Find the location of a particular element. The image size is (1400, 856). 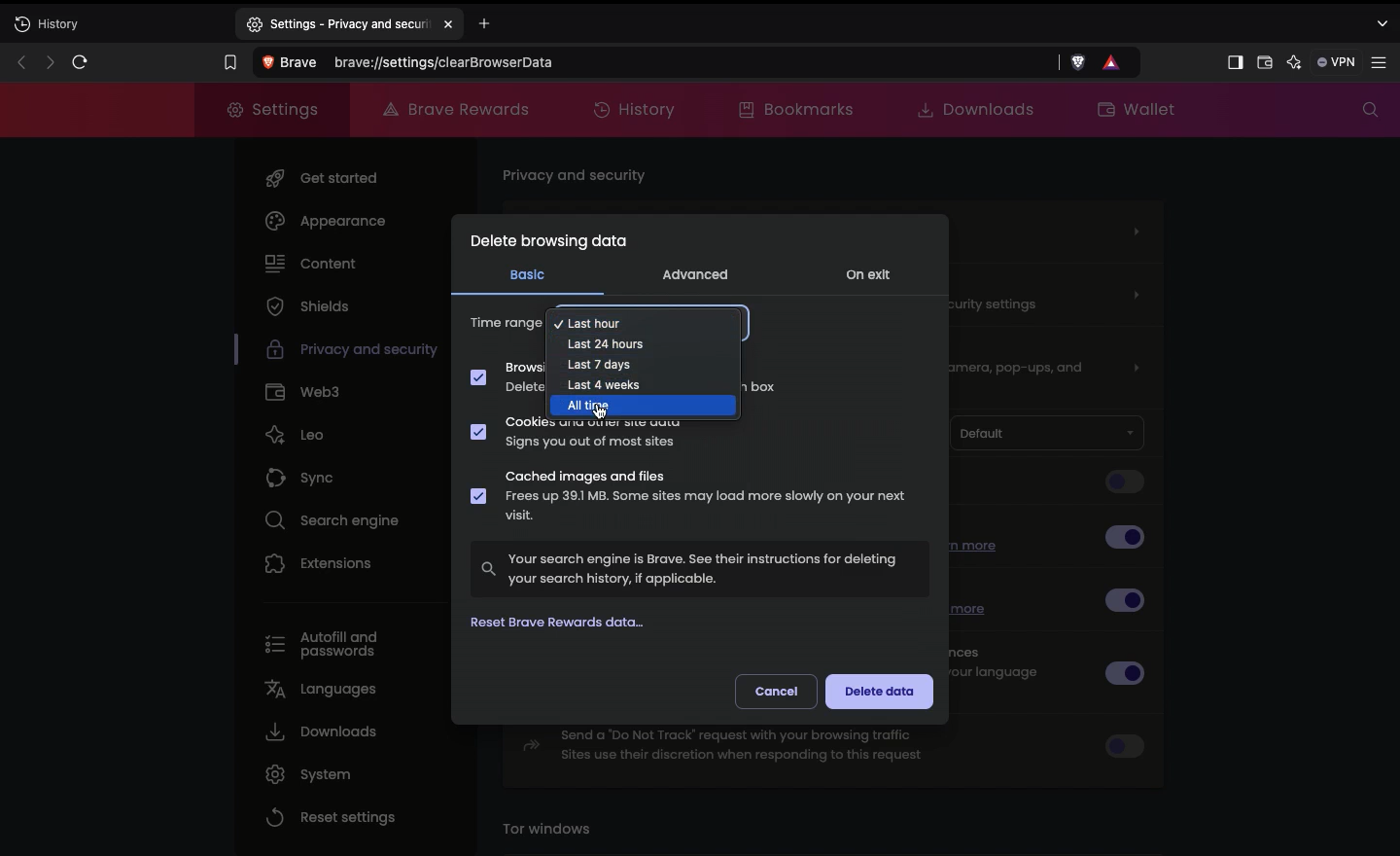

AI is located at coordinates (1292, 62).